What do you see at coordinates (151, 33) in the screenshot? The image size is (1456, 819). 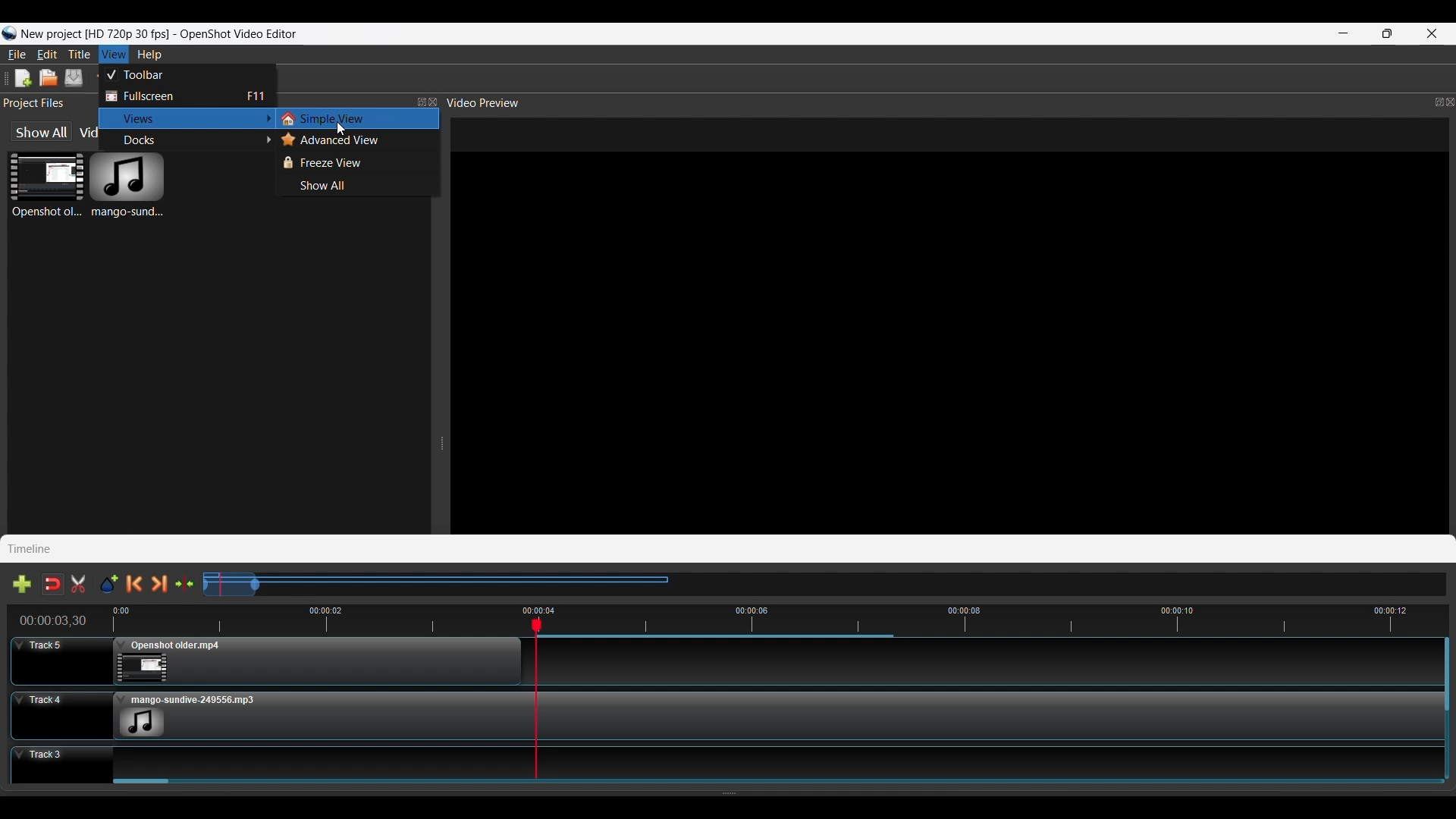 I see `Logo` at bounding box center [151, 33].